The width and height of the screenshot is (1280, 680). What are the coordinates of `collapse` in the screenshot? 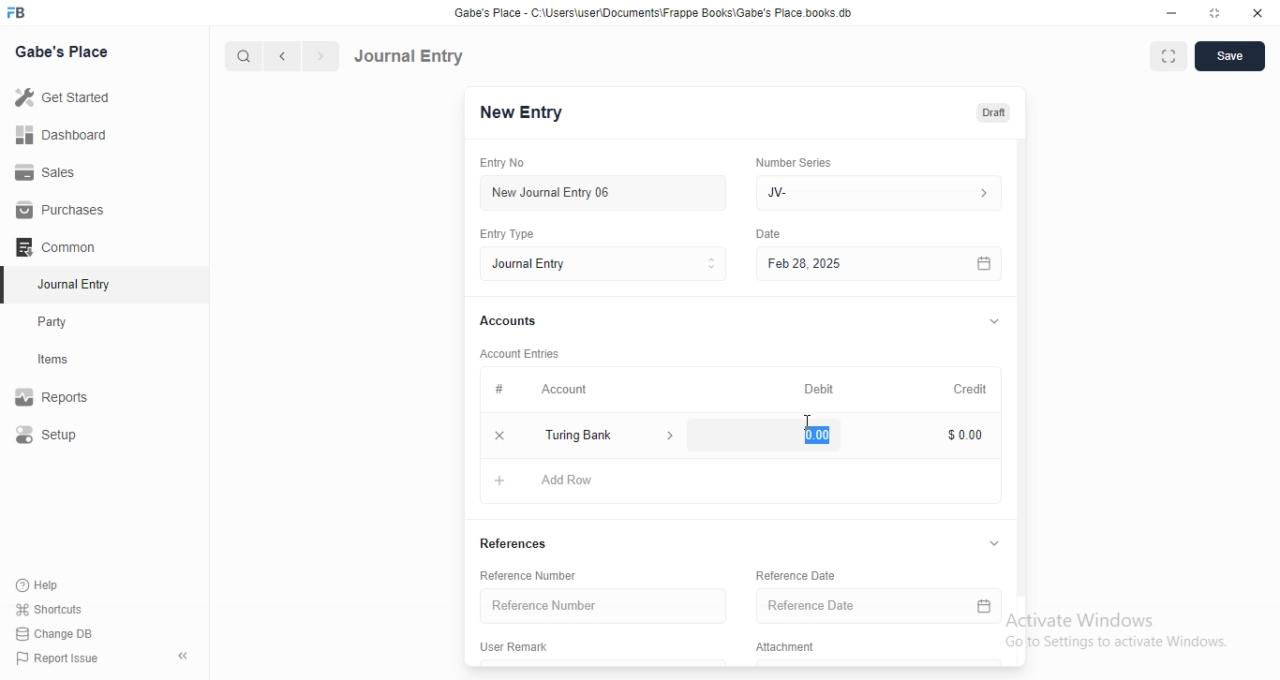 It's located at (993, 323).